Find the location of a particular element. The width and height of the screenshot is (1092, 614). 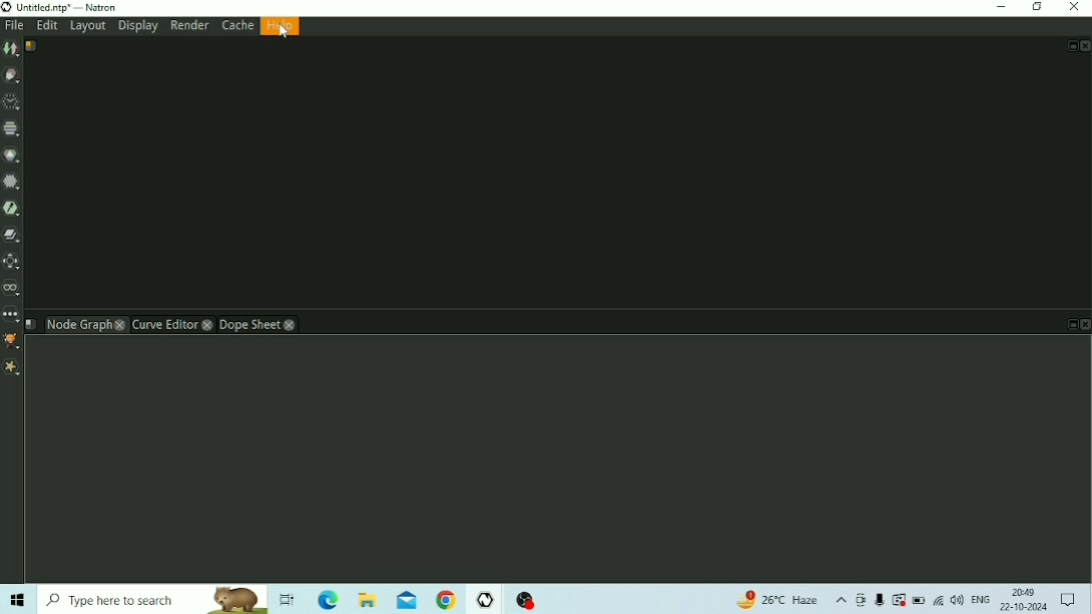

Close Pan is located at coordinates (1085, 46).